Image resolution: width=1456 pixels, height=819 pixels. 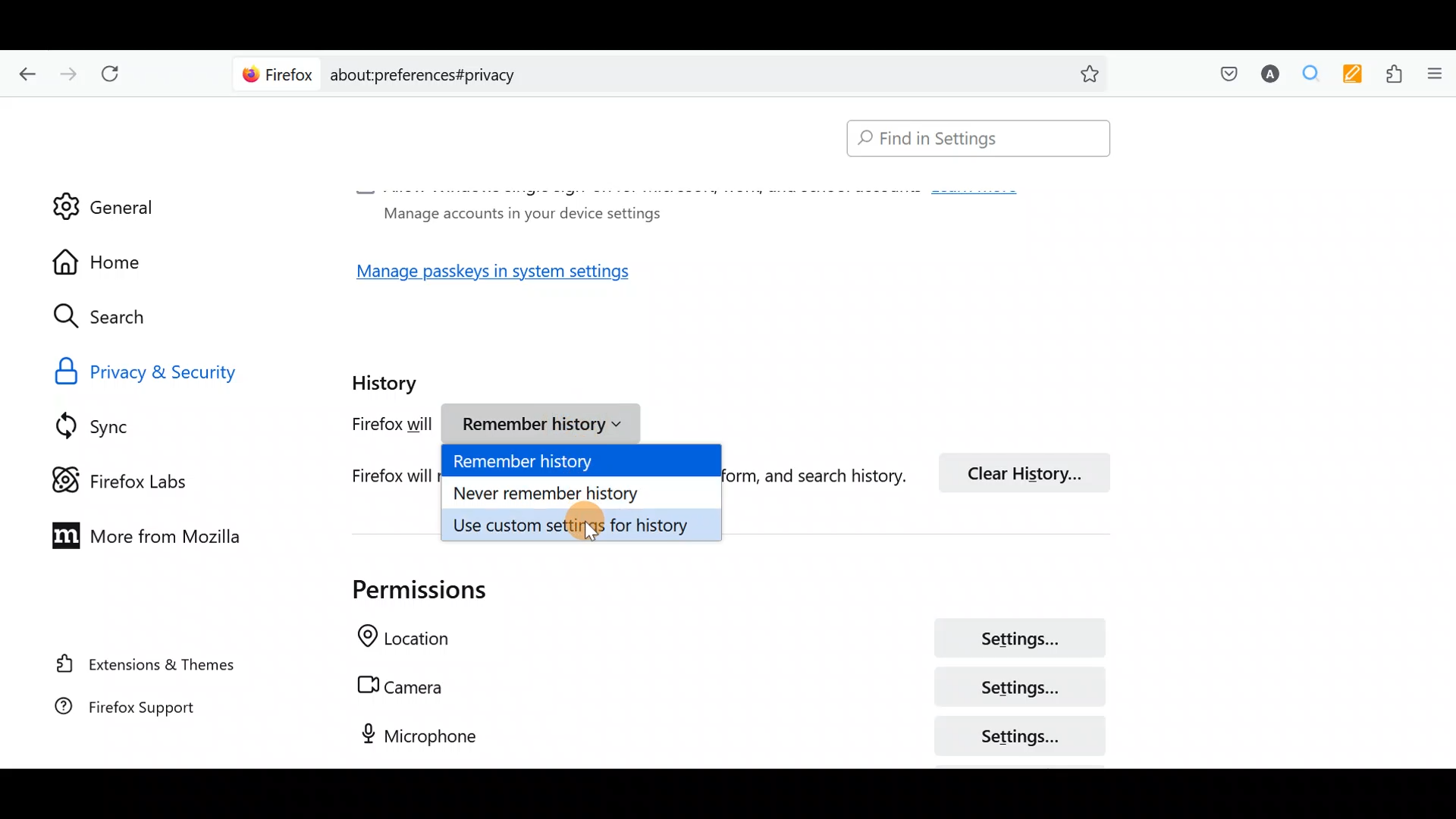 What do you see at coordinates (144, 714) in the screenshot?
I see `Firefox support` at bounding box center [144, 714].